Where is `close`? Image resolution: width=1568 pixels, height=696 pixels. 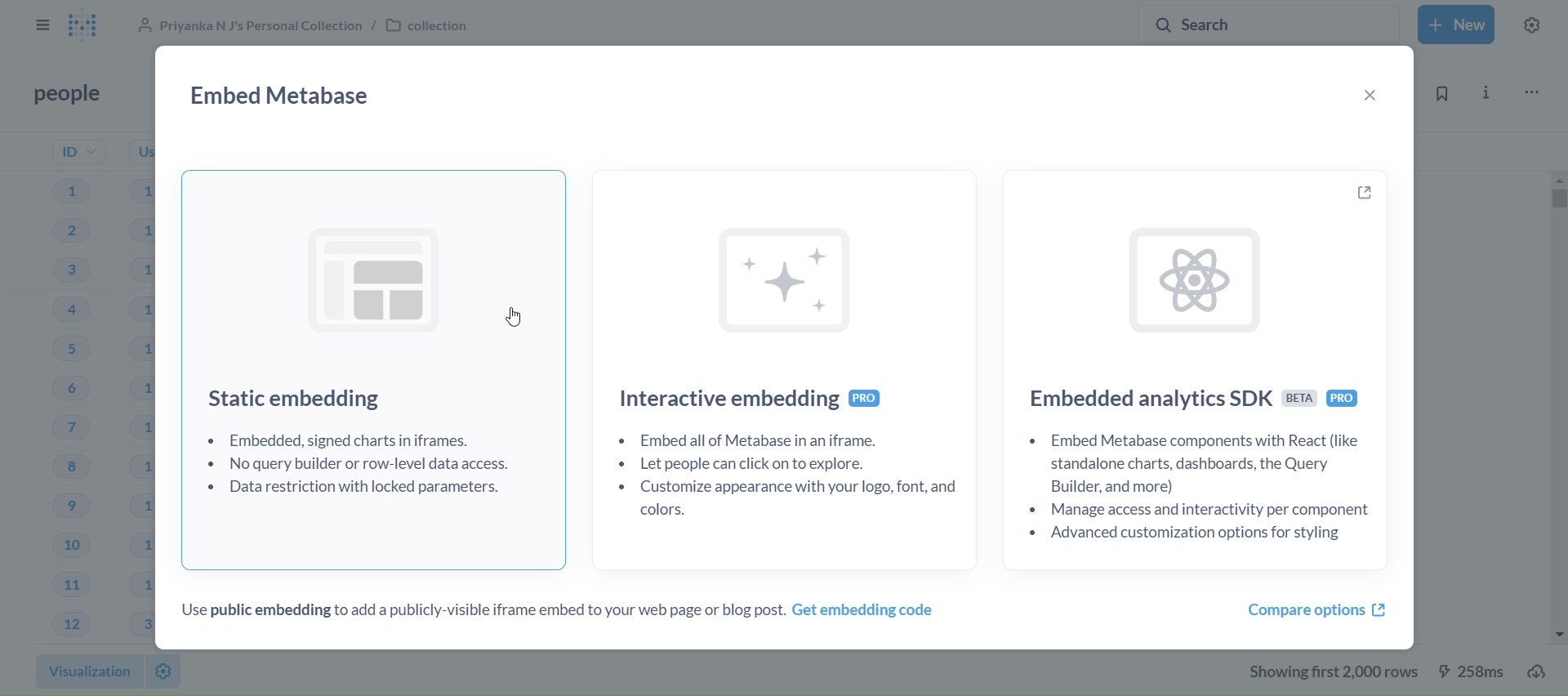
close is located at coordinates (1369, 96).